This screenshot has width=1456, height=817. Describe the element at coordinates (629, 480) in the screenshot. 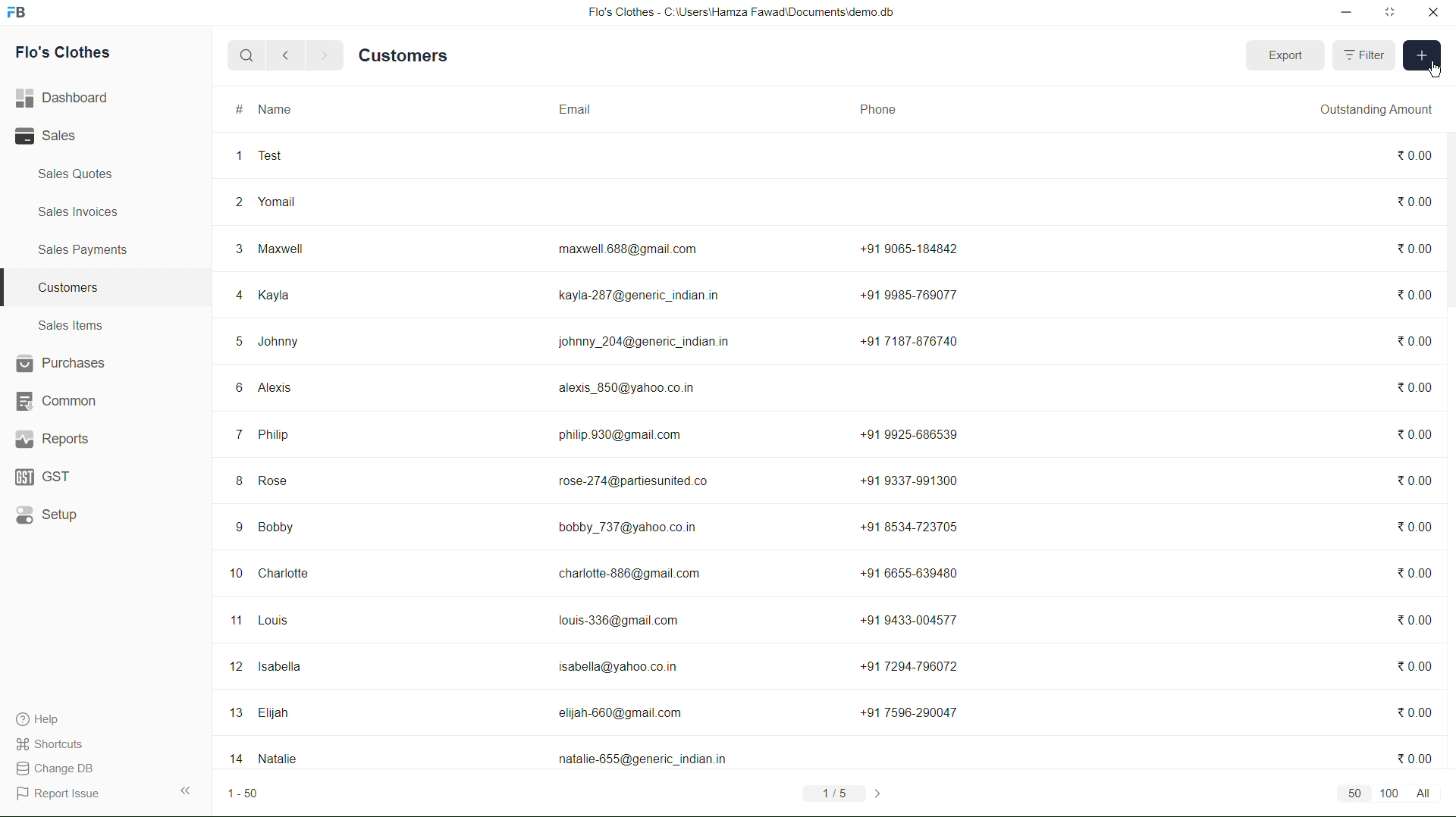

I see `rose-274@partiesunited.co` at that location.